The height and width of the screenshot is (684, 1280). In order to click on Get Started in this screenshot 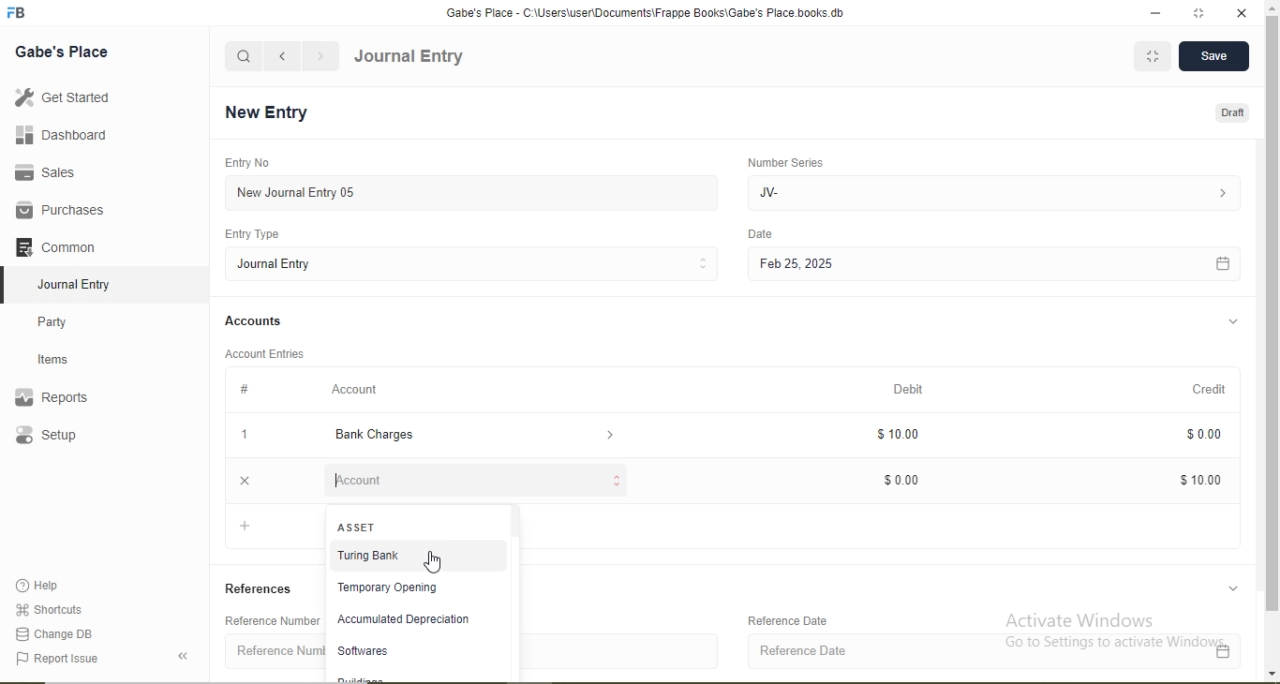, I will do `click(60, 97)`.